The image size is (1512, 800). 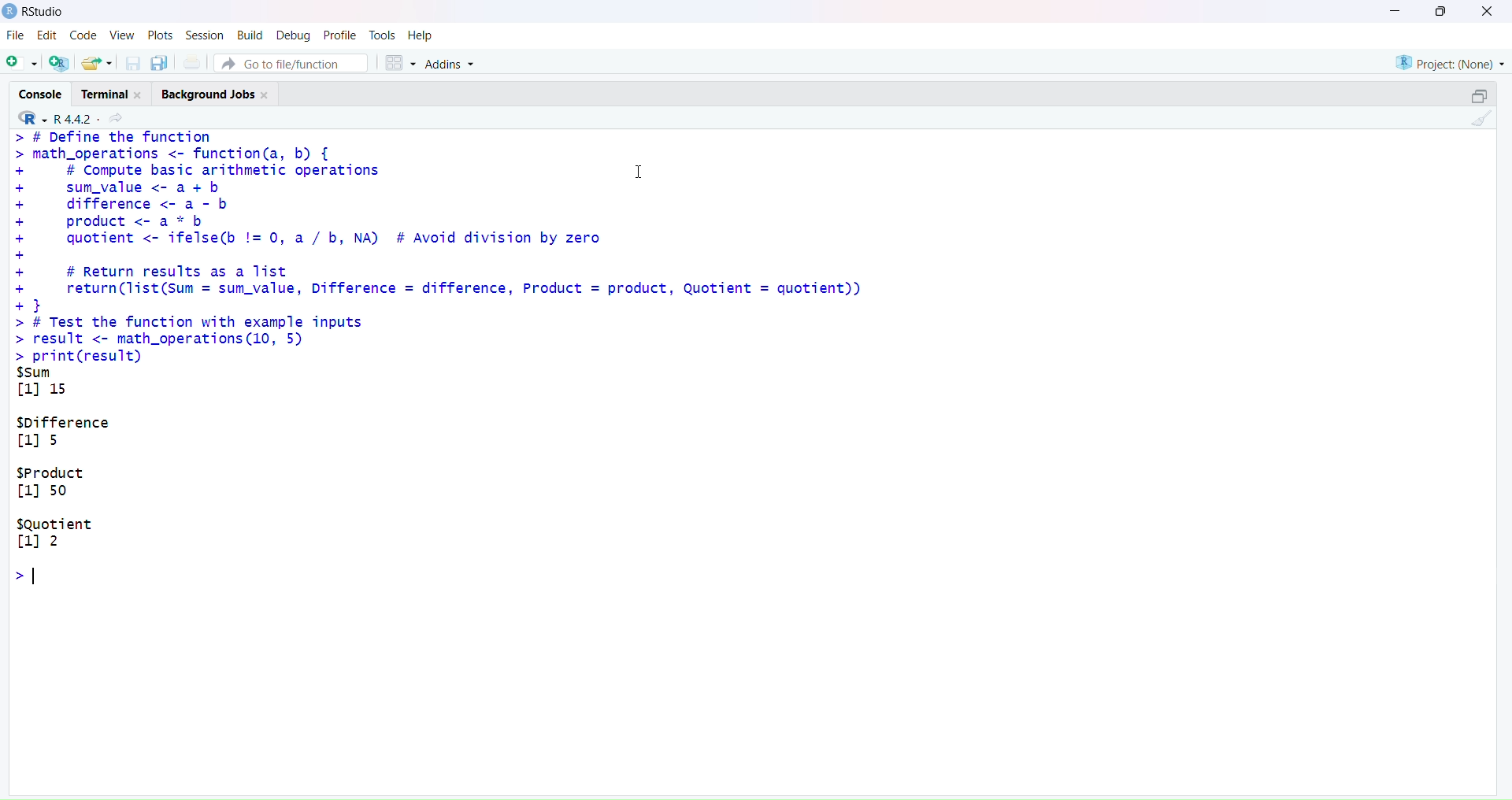 What do you see at coordinates (382, 34) in the screenshot?
I see `Tasks` at bounding box center [382, 34].